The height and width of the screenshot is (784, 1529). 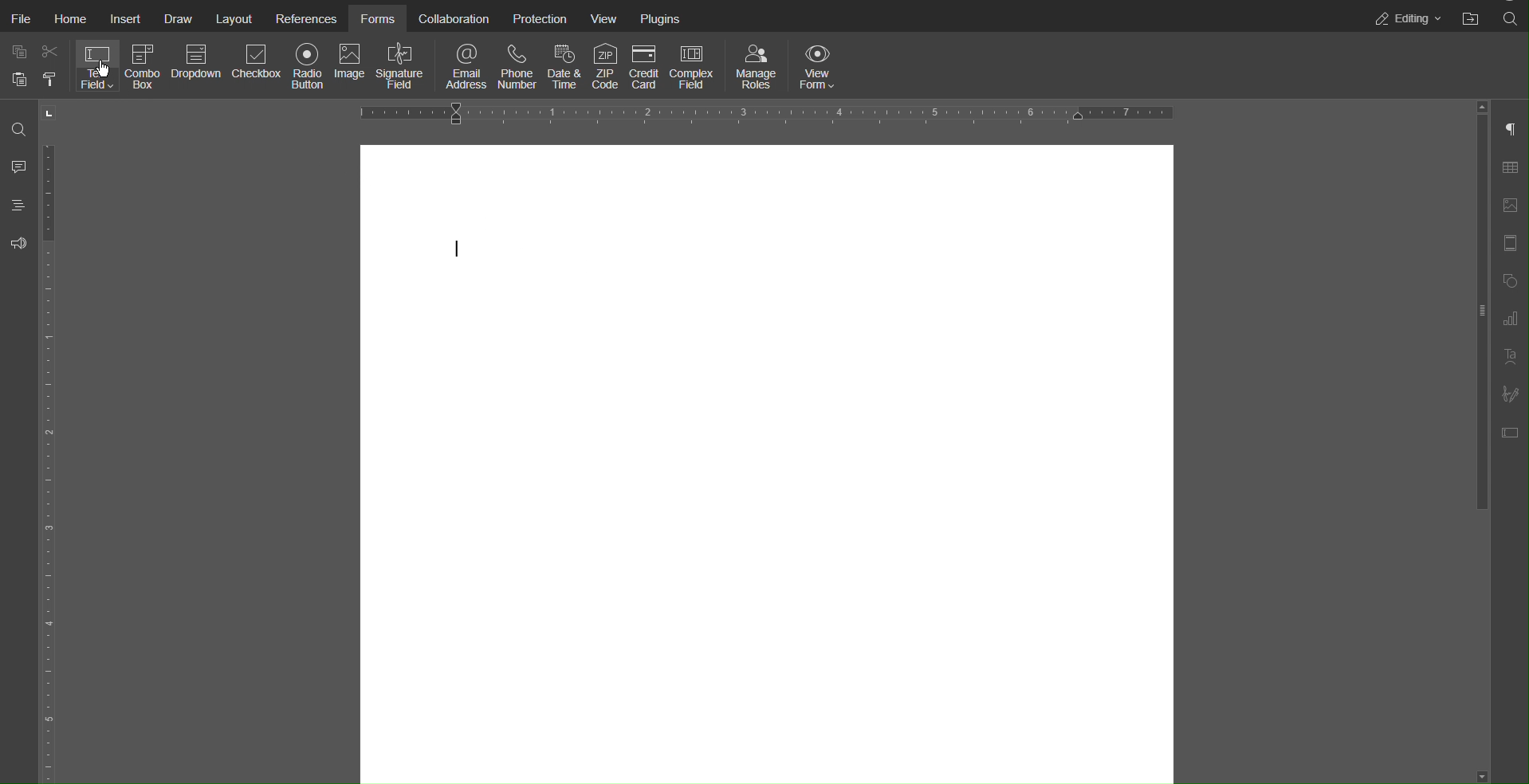 I want to click on Image, so click(x=349, y=68).